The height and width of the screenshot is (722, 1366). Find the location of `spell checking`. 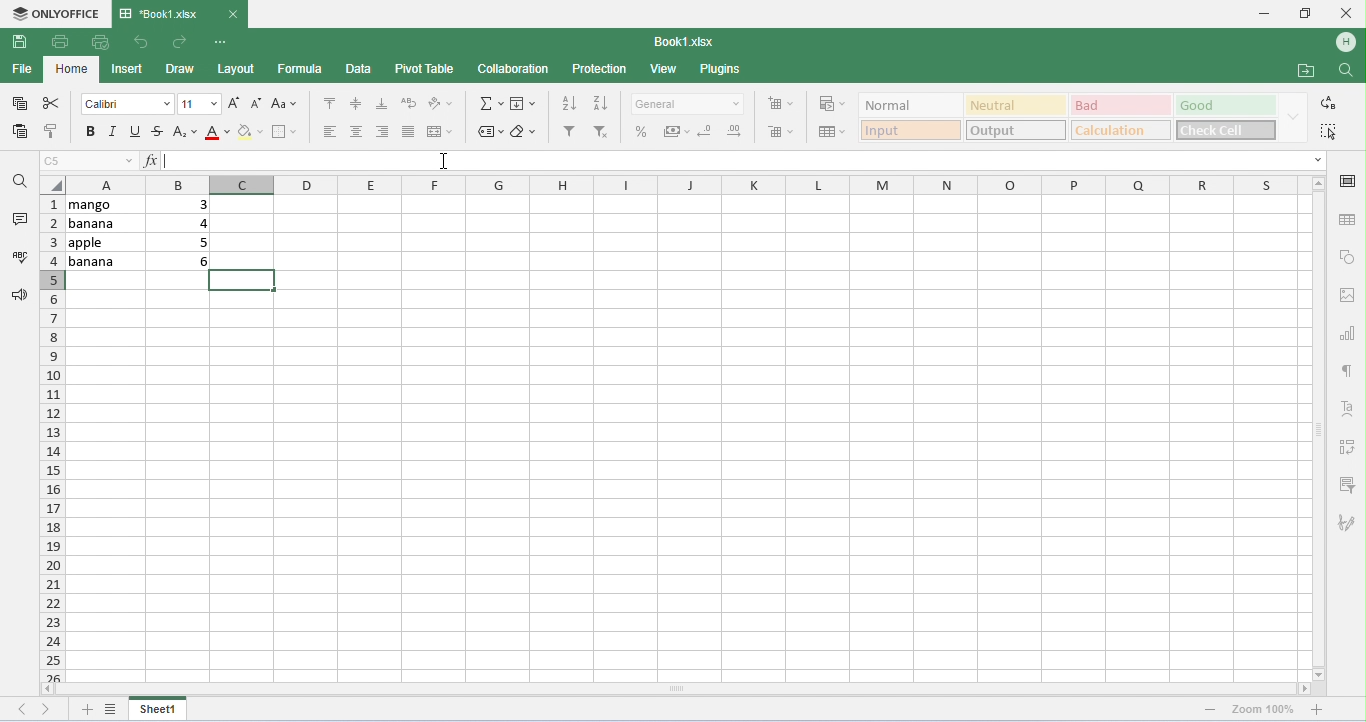

spell checking is located at coordinates (21, 255).